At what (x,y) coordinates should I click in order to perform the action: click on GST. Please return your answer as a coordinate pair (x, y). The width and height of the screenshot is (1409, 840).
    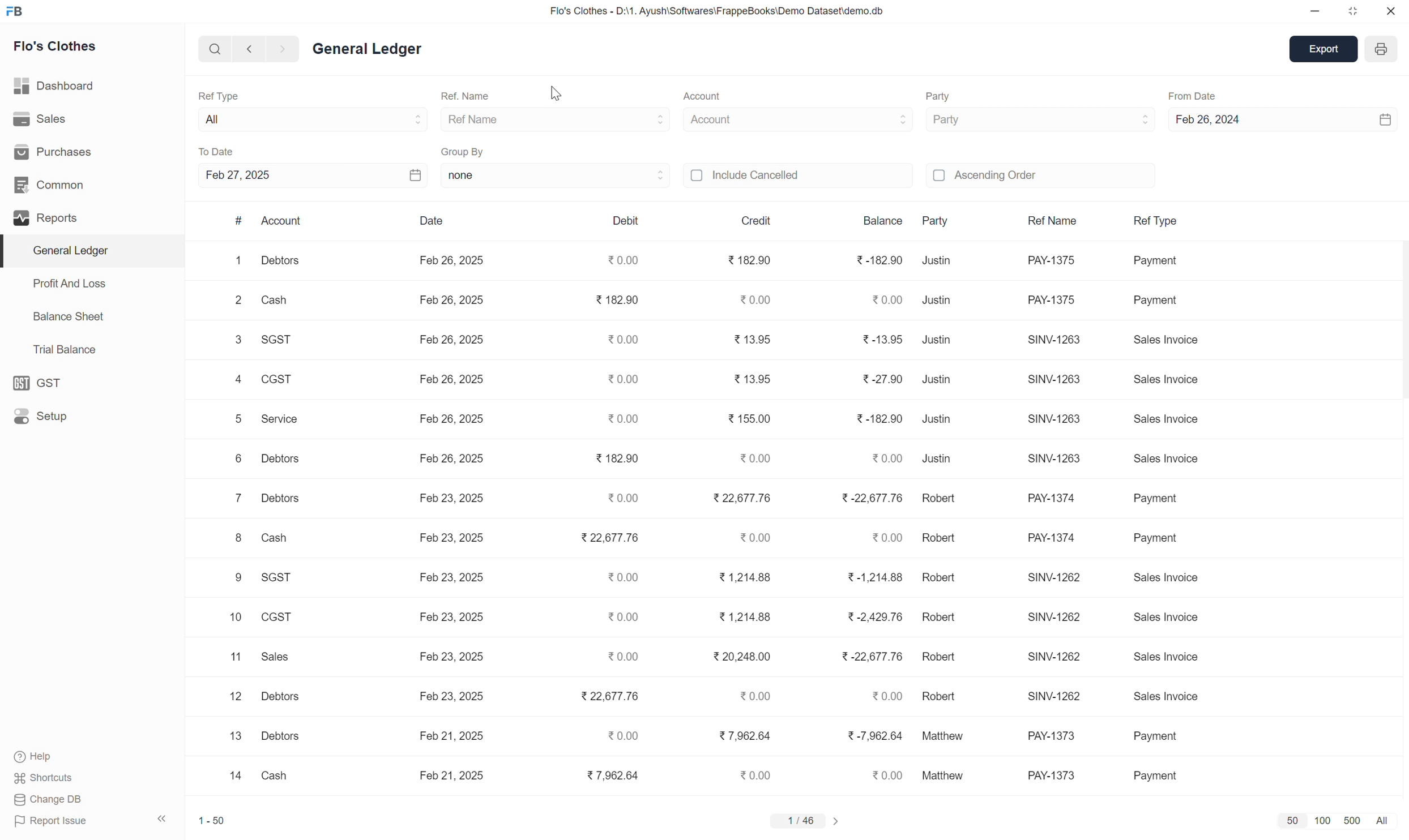
    Looking at the image, I should click on (93, 384).